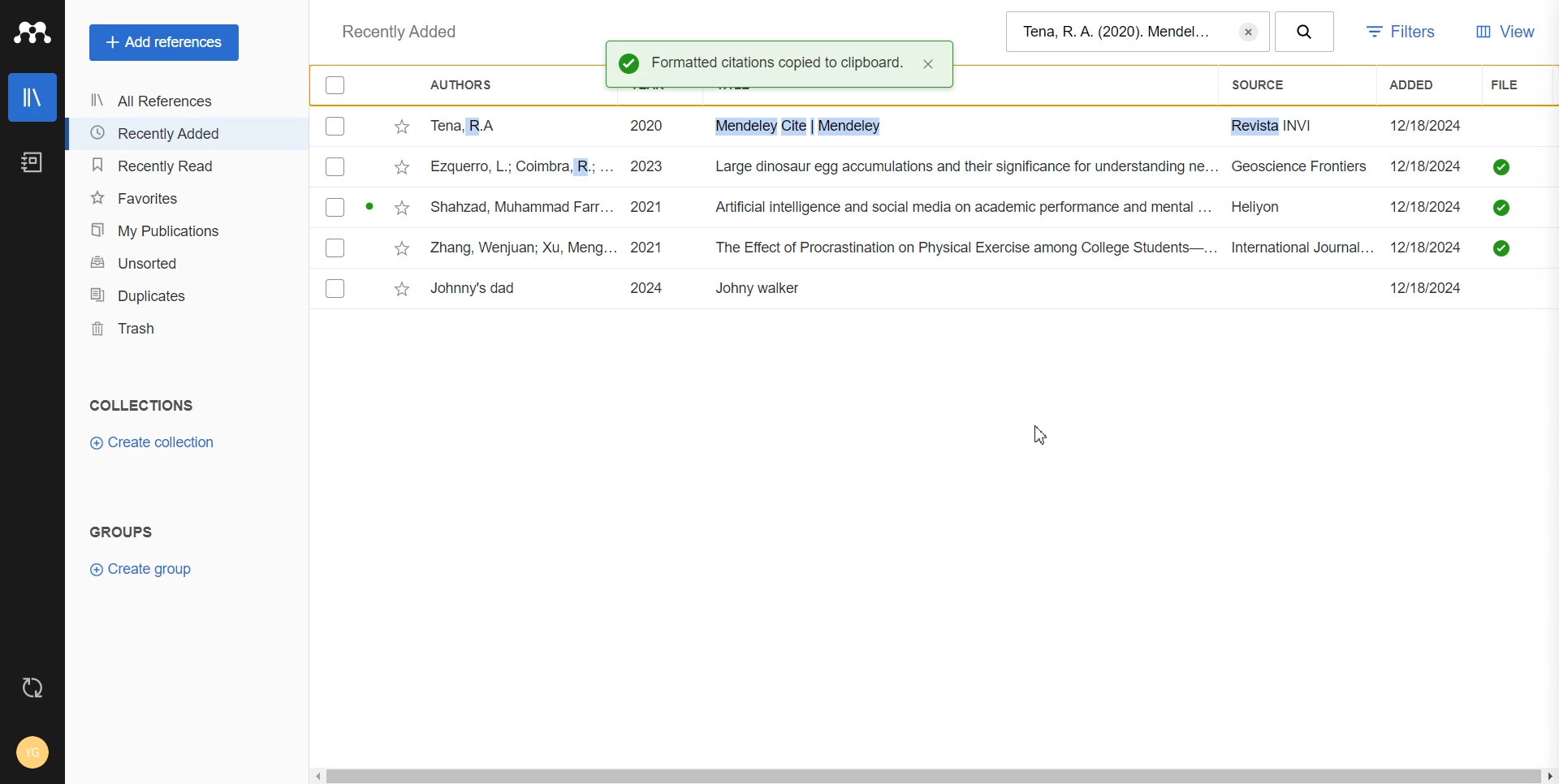 This screenshot has height=784, width=1559. Describe the element at coordinates (1501, 250) in the screenshot. I see `saved` at that location.